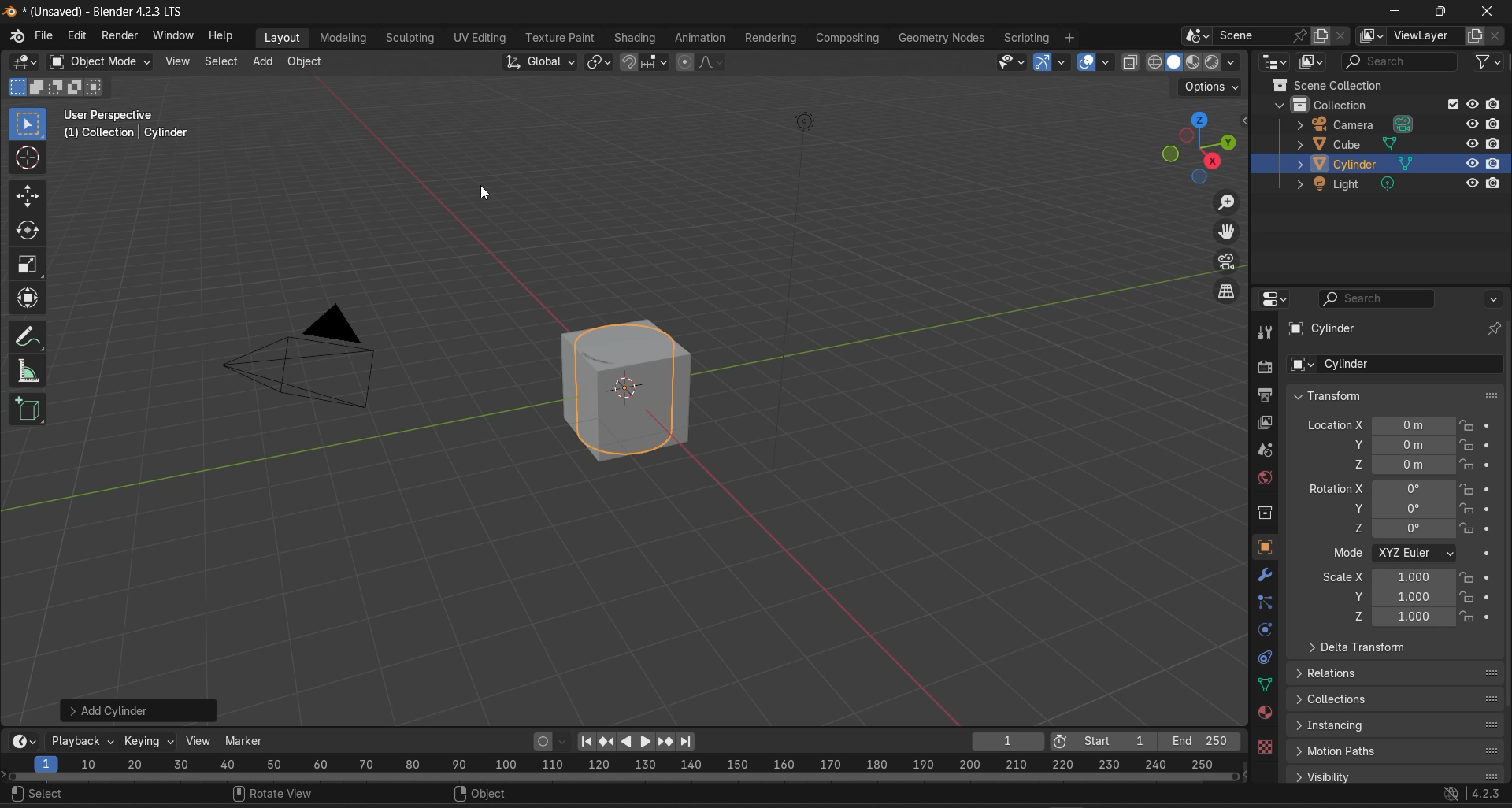 The image size is (1512, 808). Describe the element at coordinates (1380, 489) in the screenshot. I see `rotation x` at that location.